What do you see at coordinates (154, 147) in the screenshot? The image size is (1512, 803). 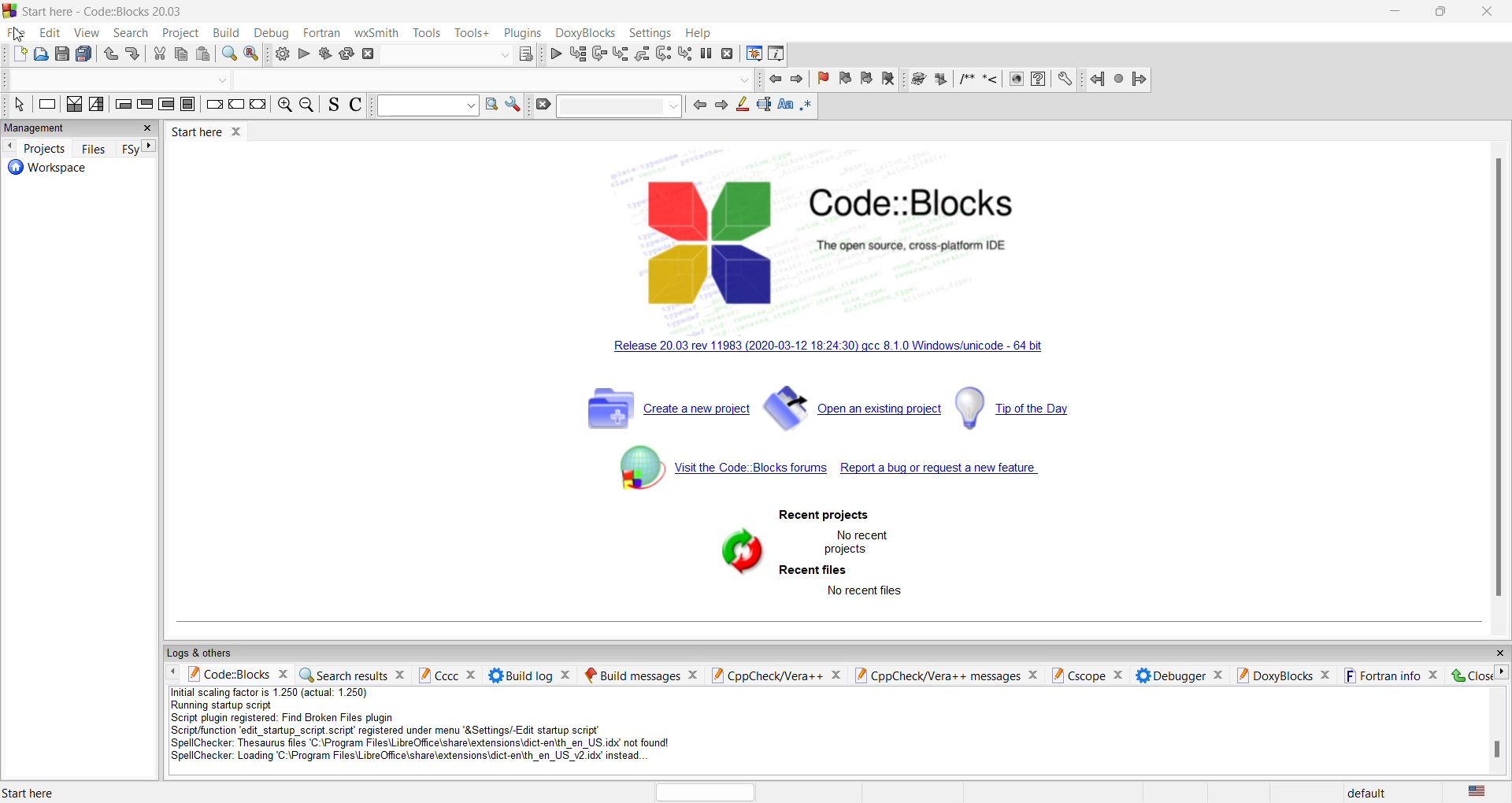 I see `move right` at bounding box center [154, 147].